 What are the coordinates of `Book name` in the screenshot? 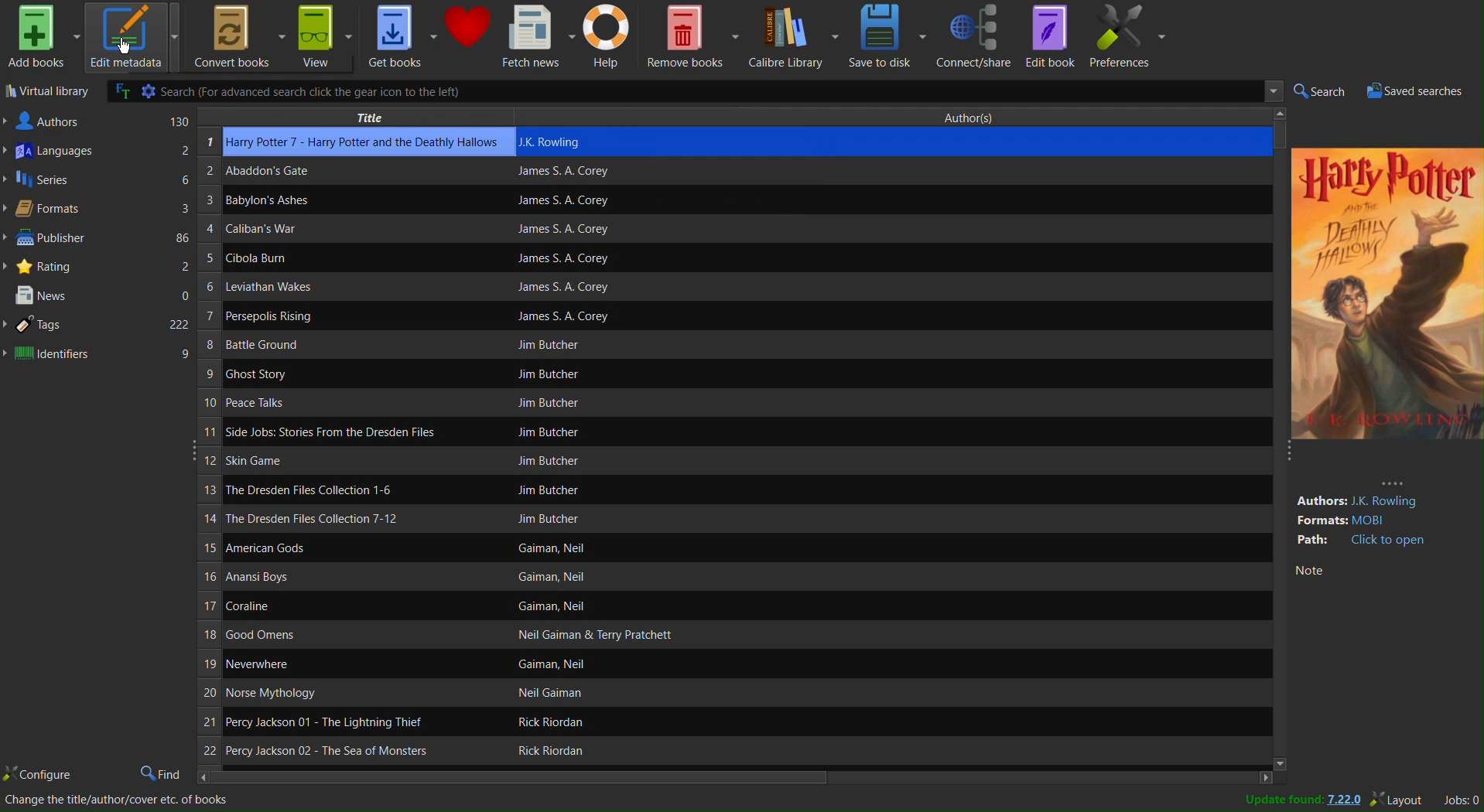 It's located at (333, 749).